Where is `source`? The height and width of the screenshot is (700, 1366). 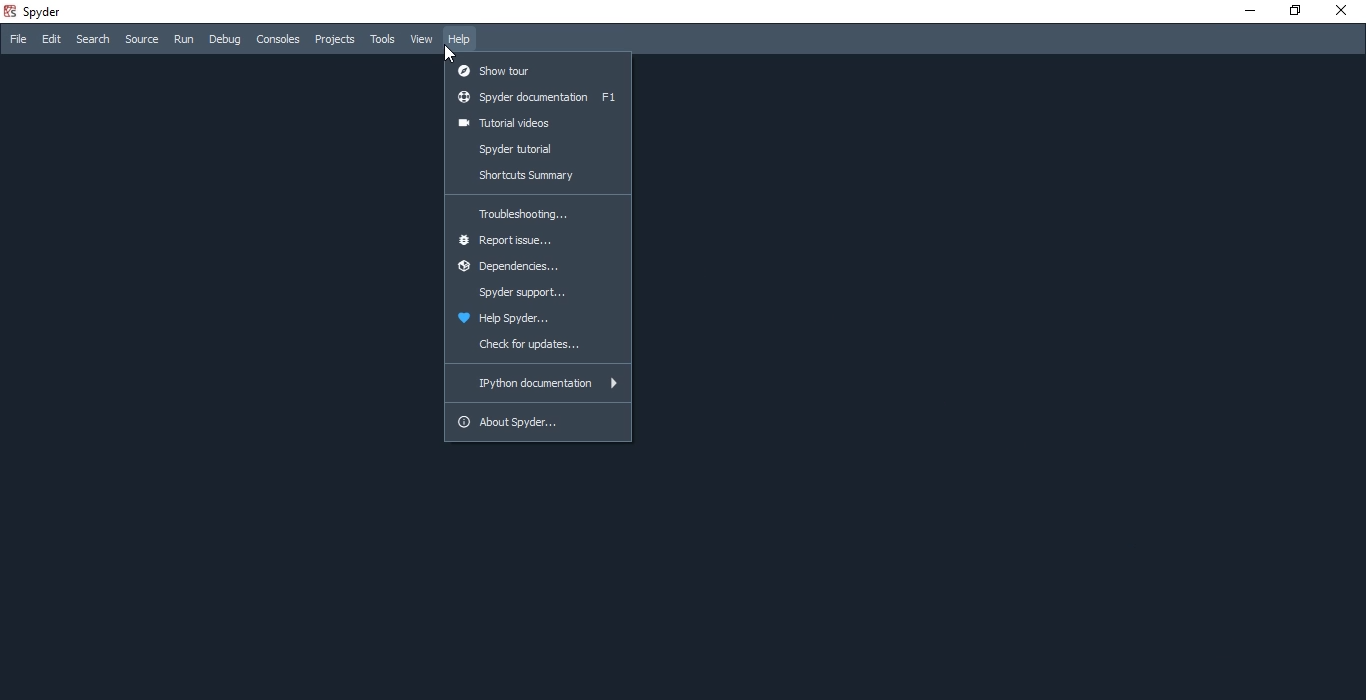
source is located at coordinates (141, 40).